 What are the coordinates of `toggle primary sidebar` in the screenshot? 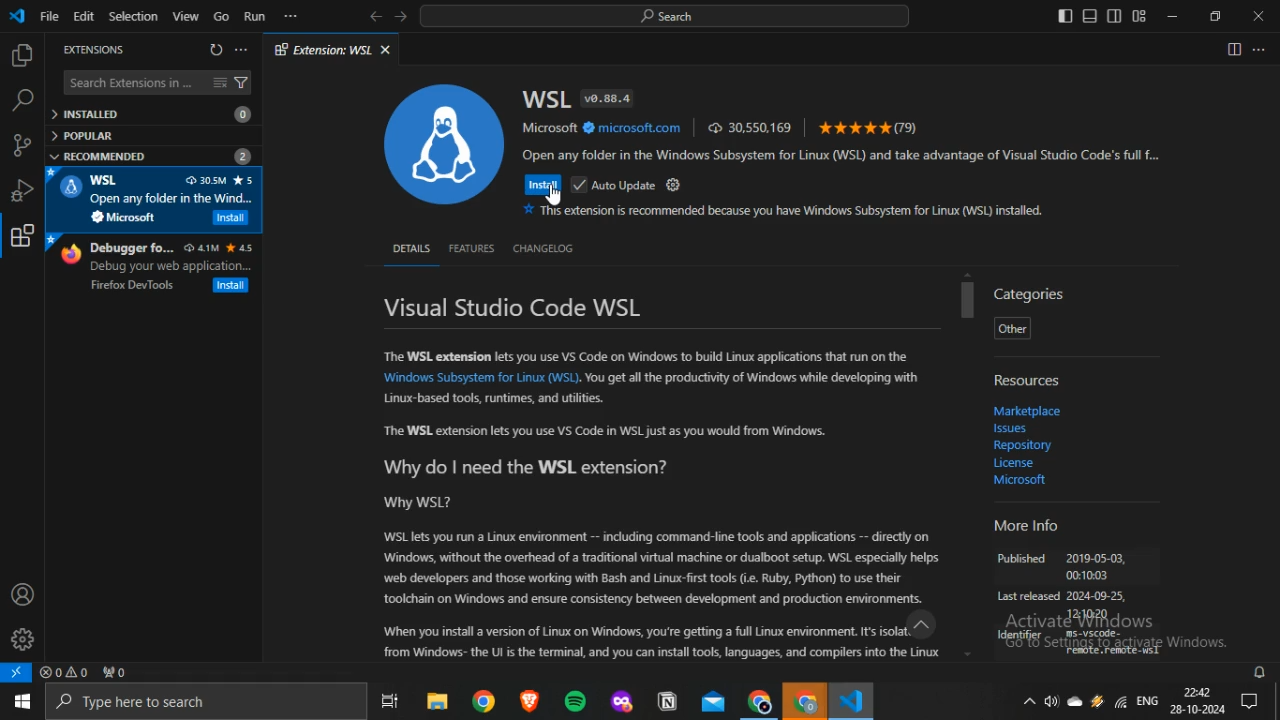 It's located at (1065, 15).